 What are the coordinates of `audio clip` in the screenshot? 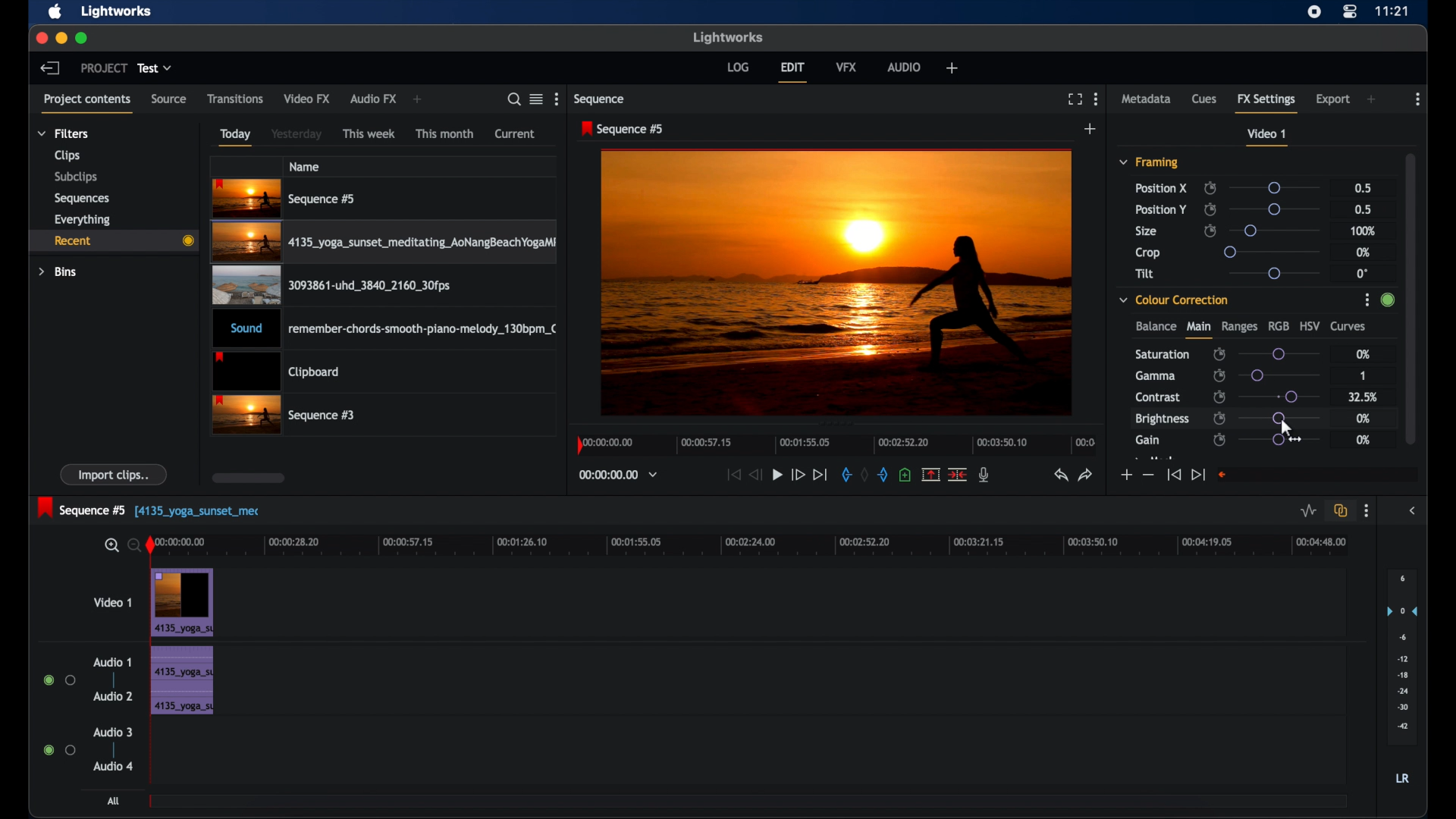 It's located at (387, 330).